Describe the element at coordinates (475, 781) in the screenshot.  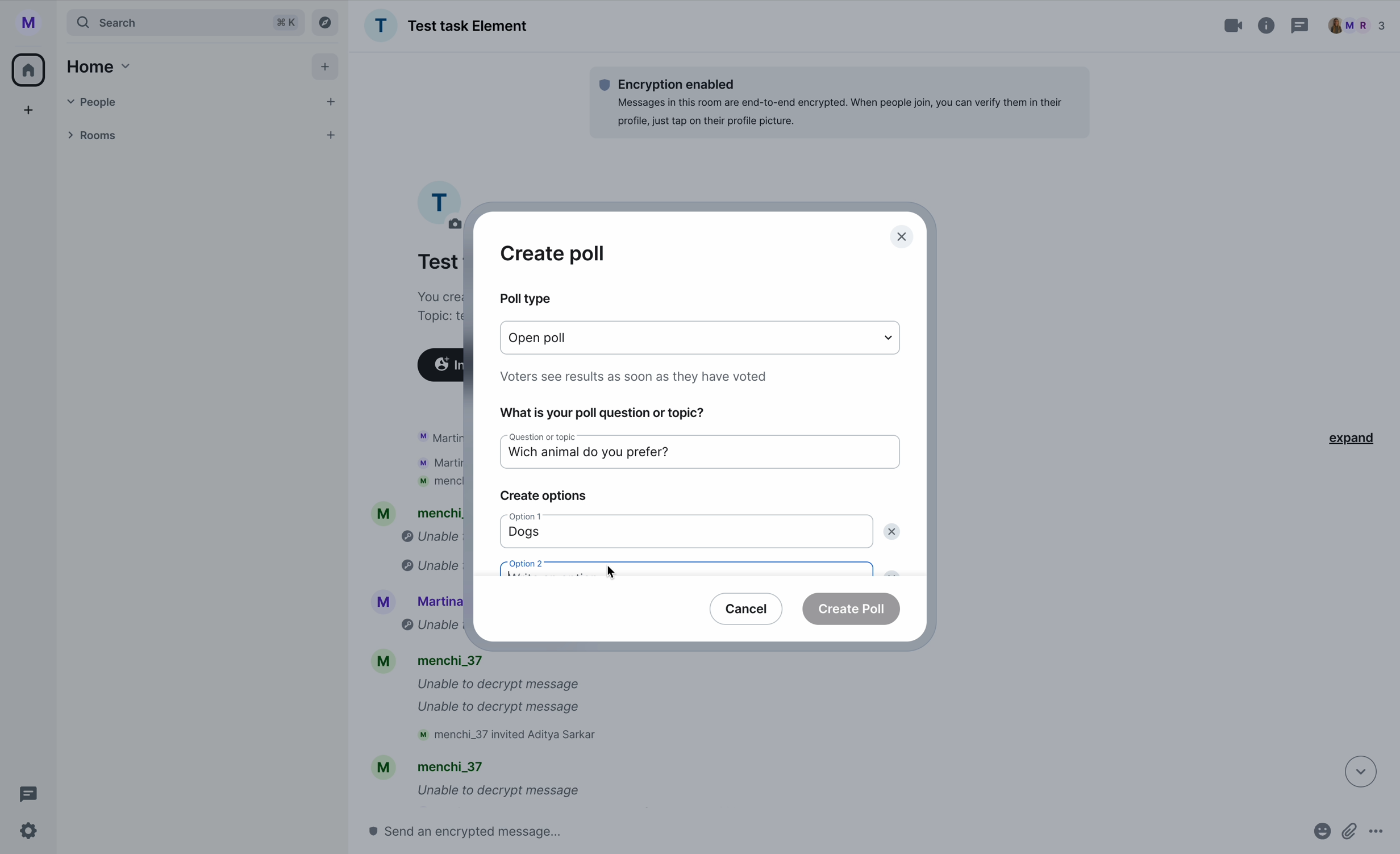
I see `mM mencni_s/
Unable to decrypt message` at that location.